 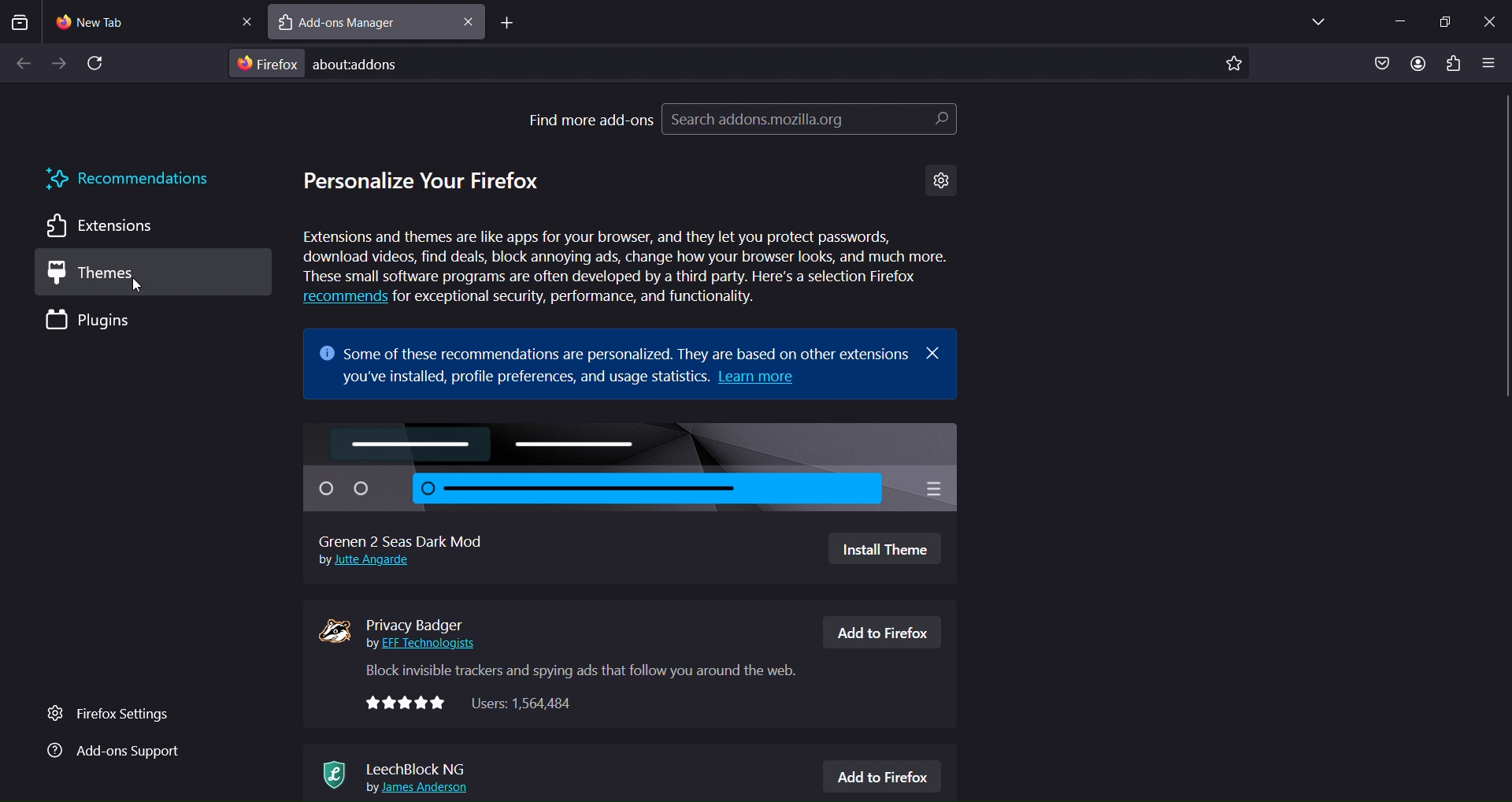 I want to click on leechblock NG, so click(x=336, y=776).